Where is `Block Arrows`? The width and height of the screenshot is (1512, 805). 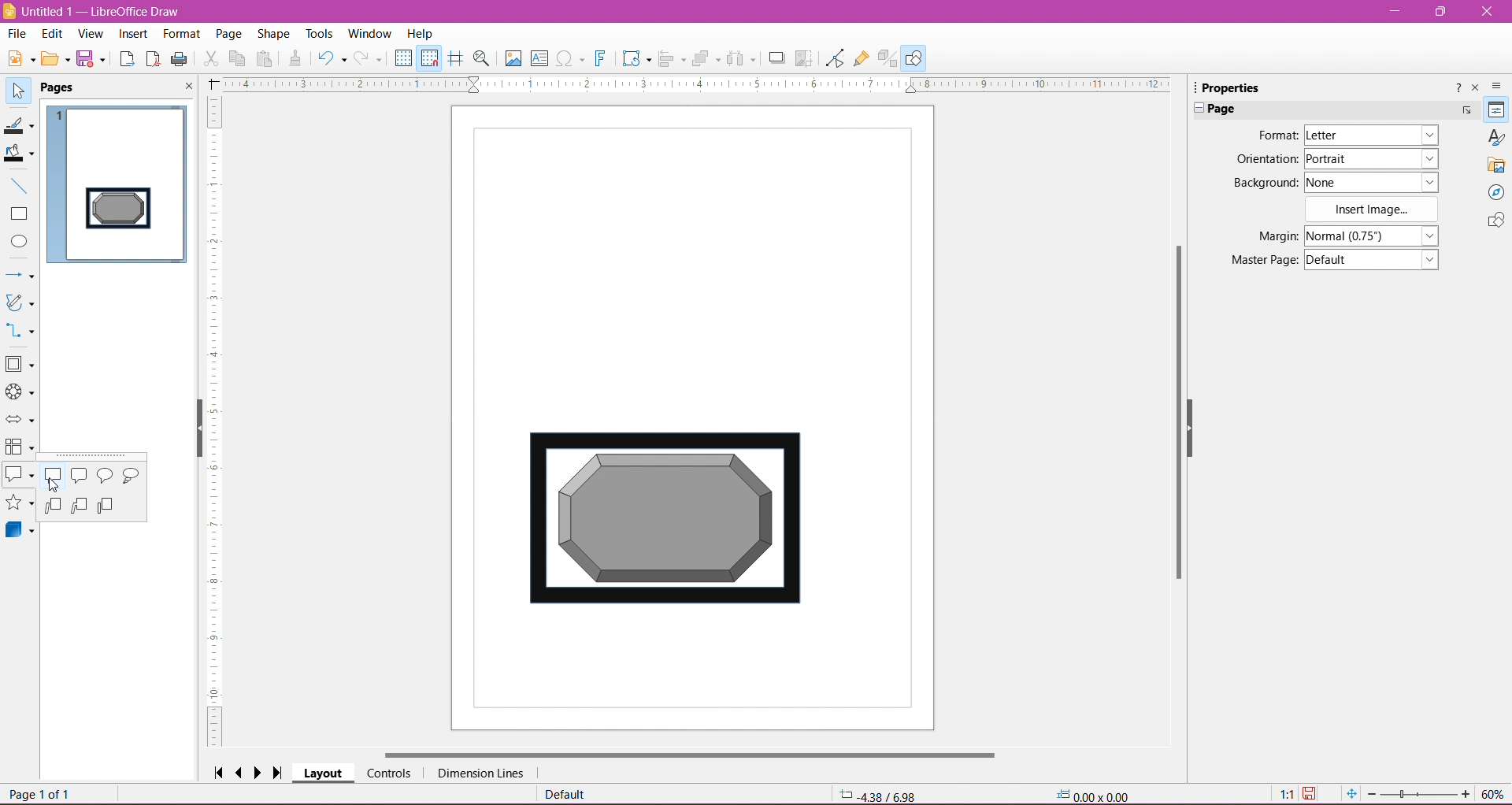
Block Arrows is located at coordinates (20, 420).